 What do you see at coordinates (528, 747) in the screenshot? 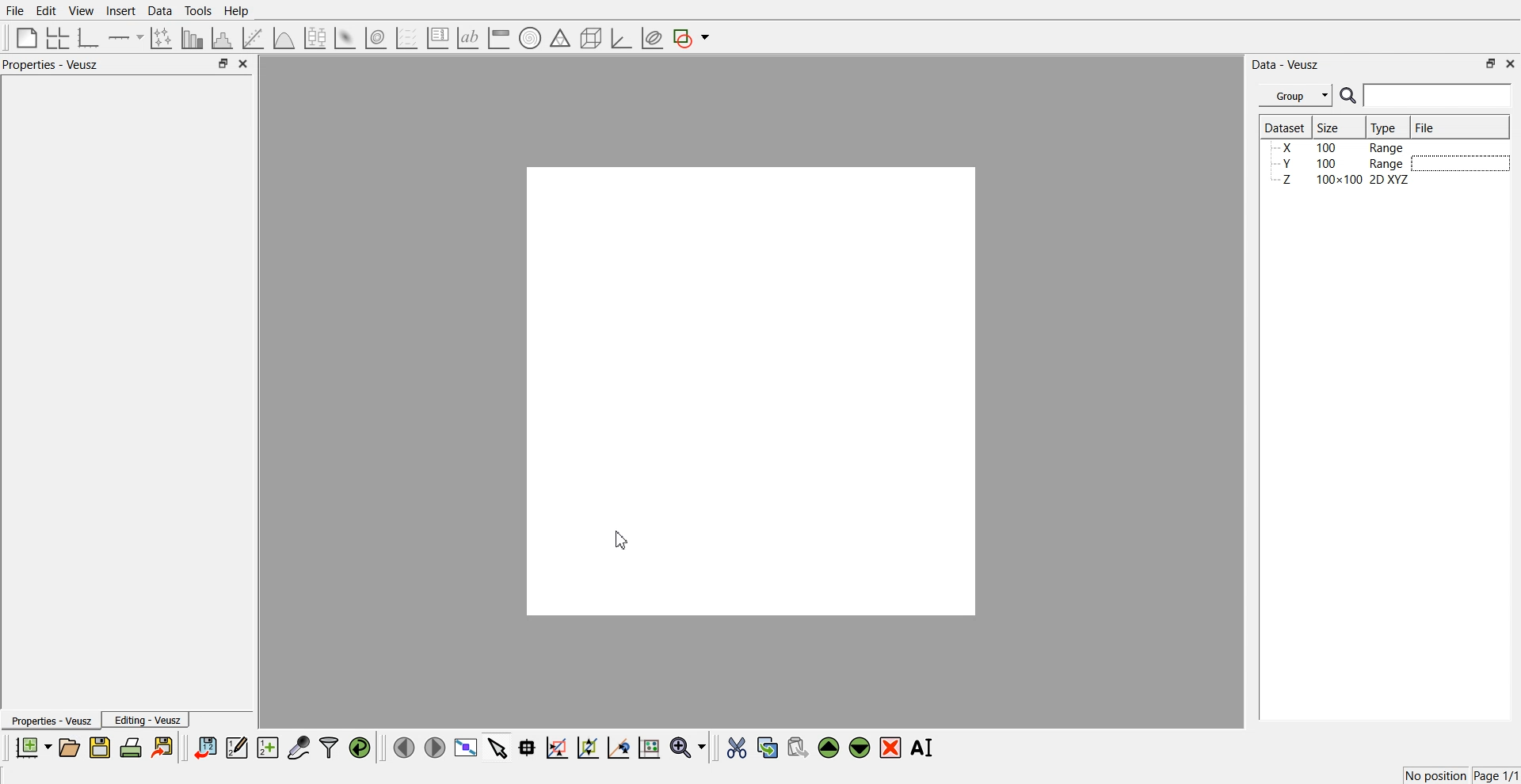
I see `Read data points from graph` at bounding box center [528, 747].